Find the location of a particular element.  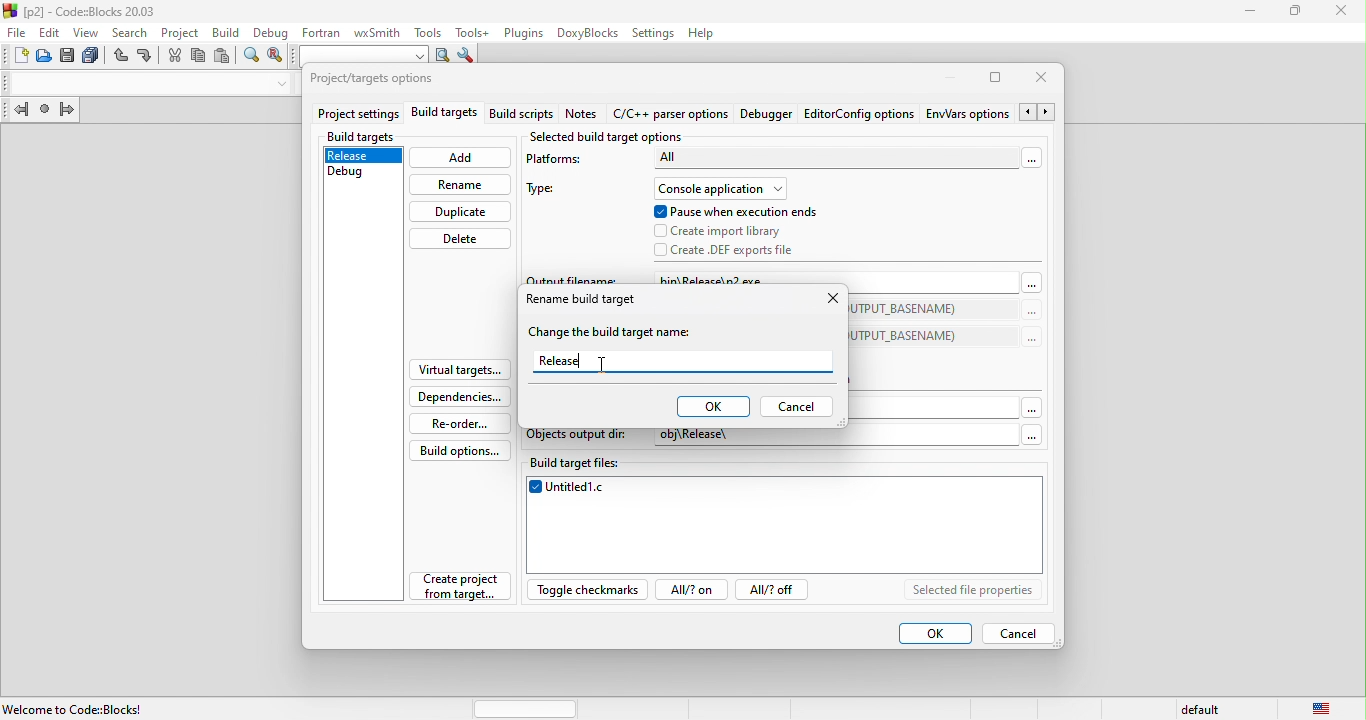

change the build target name is located at coordinates (616, 333).